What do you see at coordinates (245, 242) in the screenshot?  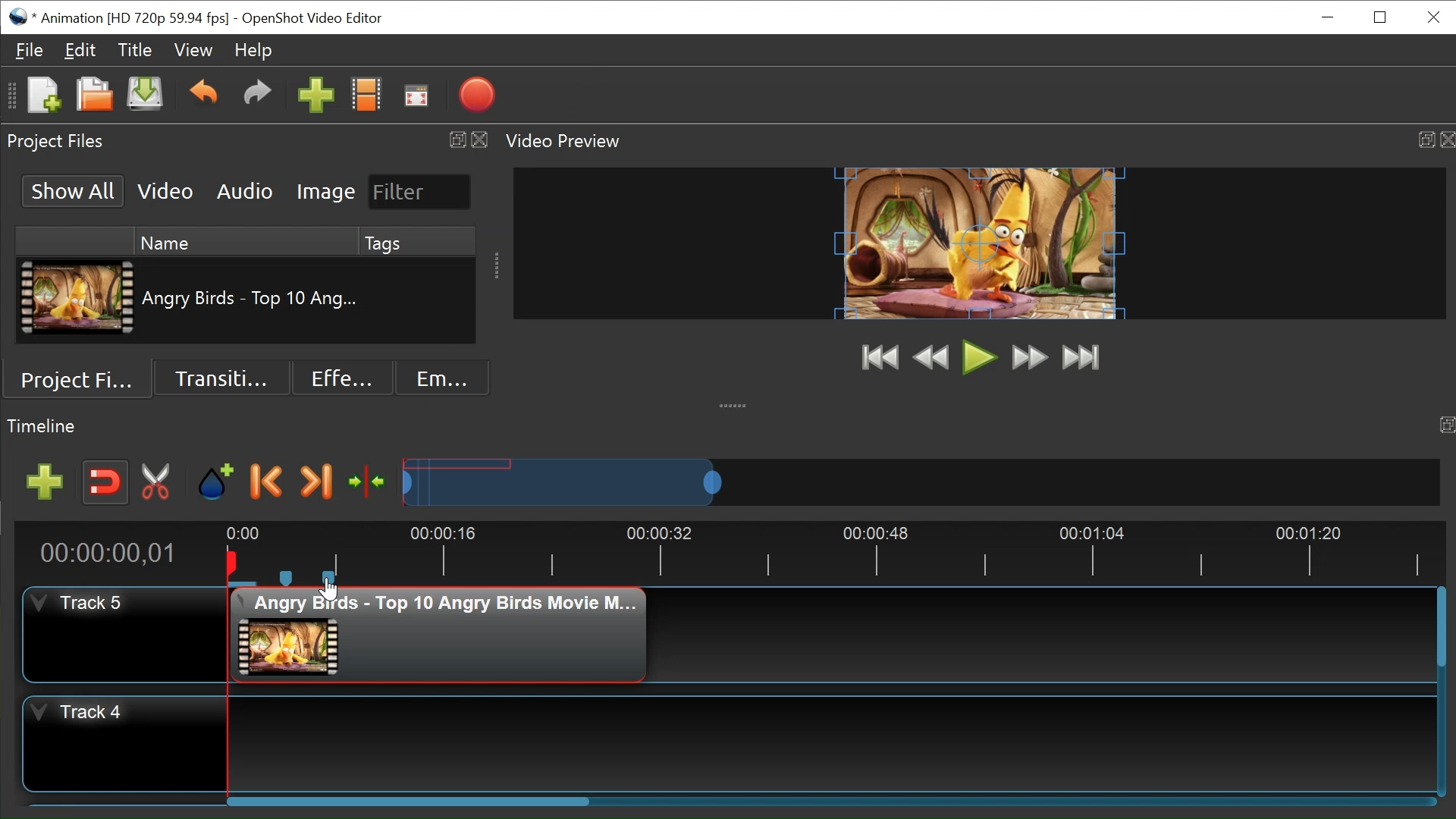 I see `Name` at bounding box center [245, 242].